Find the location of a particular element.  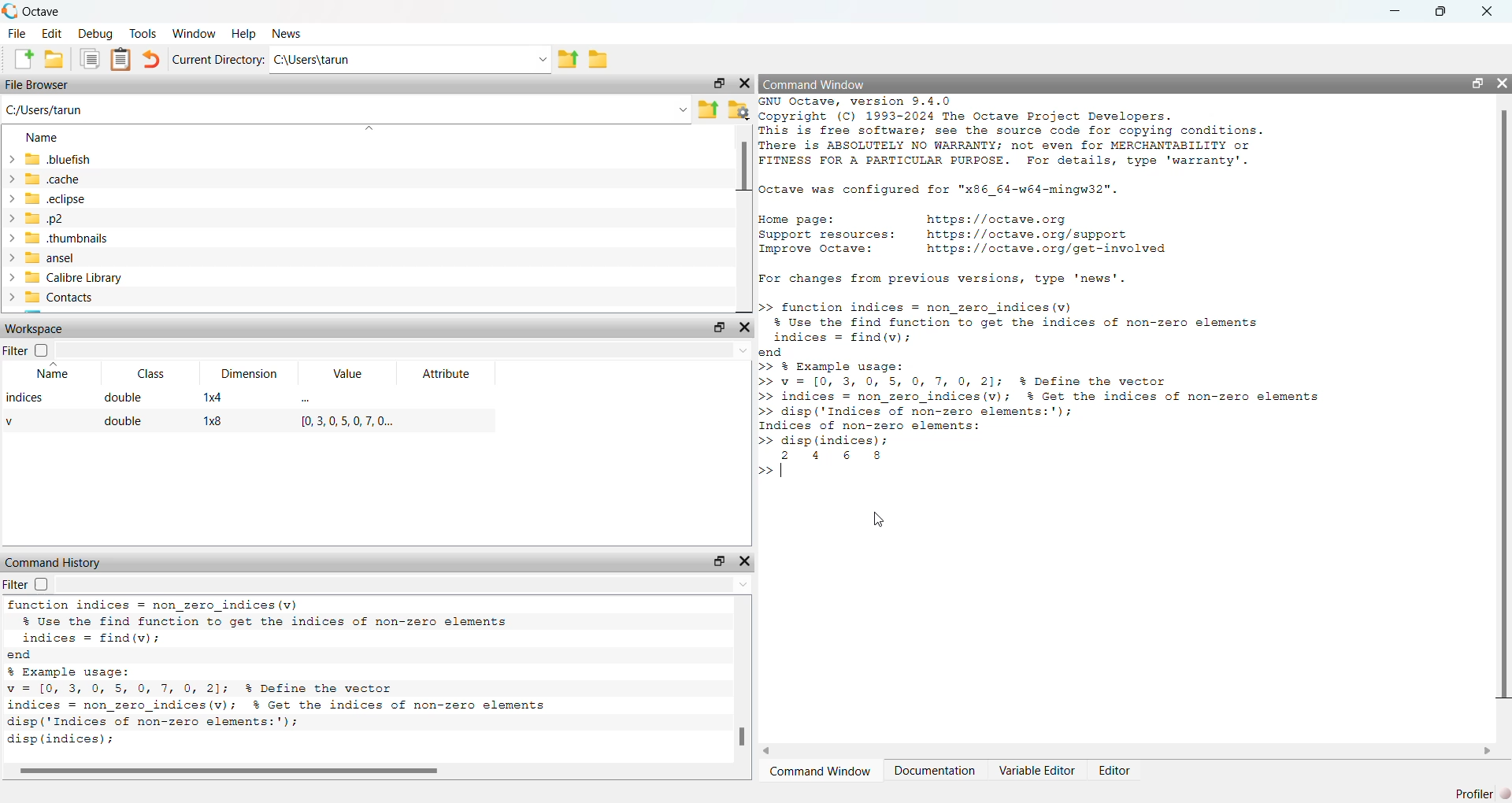

News is located at coordinates (291, 35).